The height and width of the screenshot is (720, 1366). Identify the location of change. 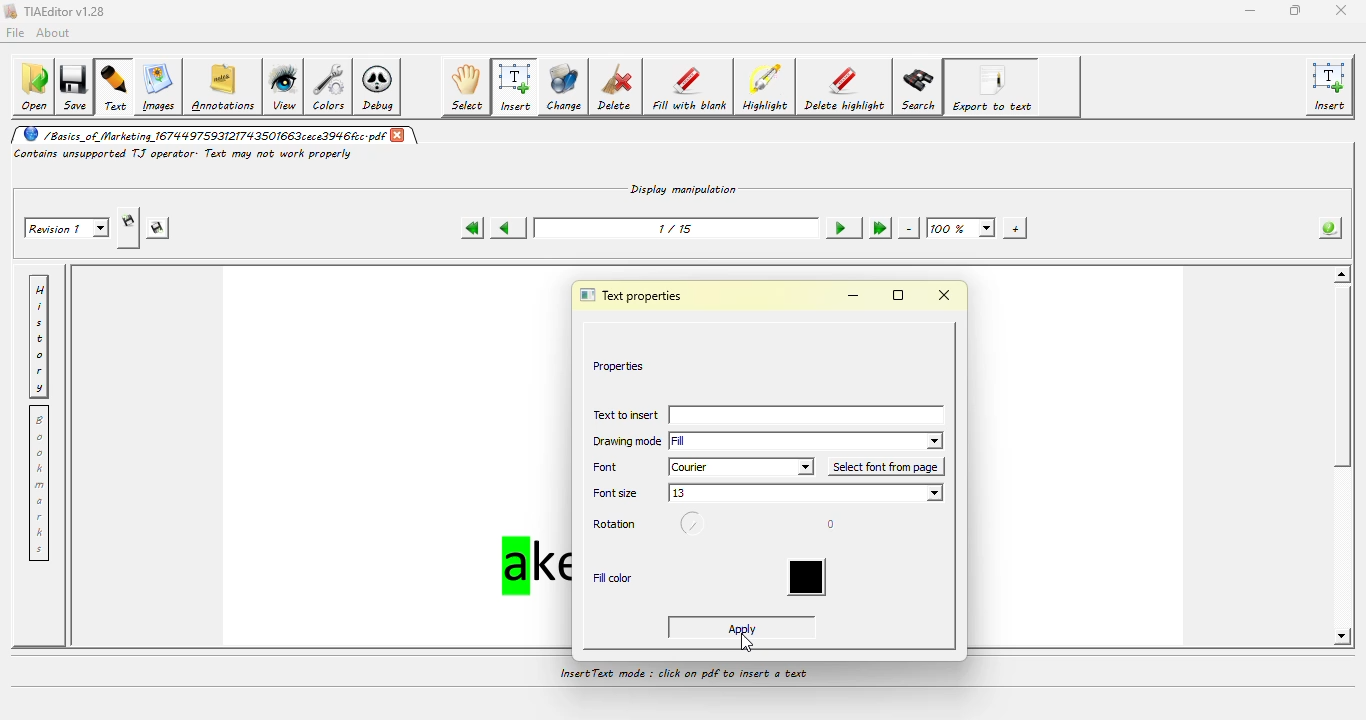
(564, 88).